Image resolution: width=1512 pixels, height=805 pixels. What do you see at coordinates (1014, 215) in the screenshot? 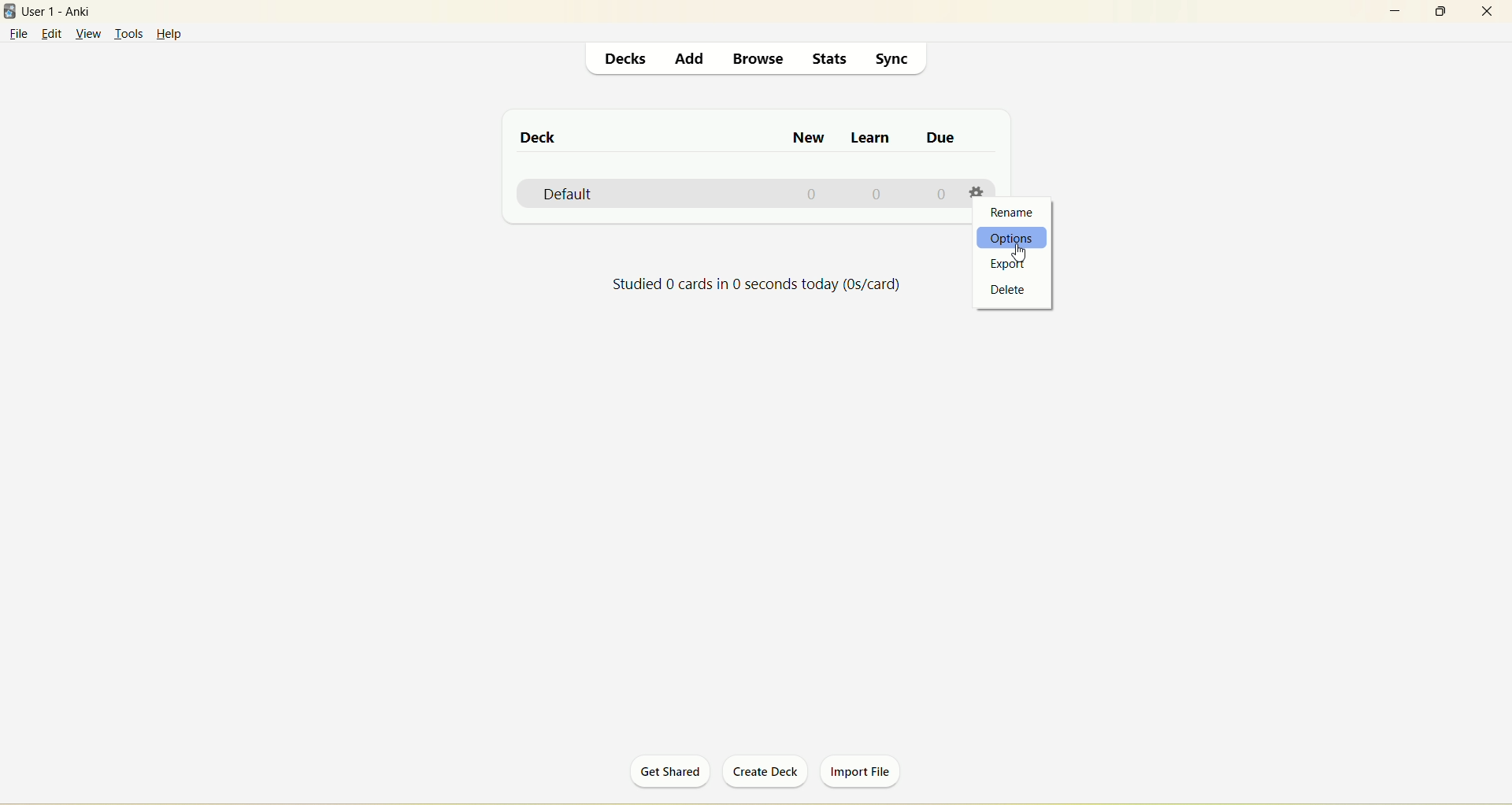
I see `rename` at bounding box center [1014, 215].